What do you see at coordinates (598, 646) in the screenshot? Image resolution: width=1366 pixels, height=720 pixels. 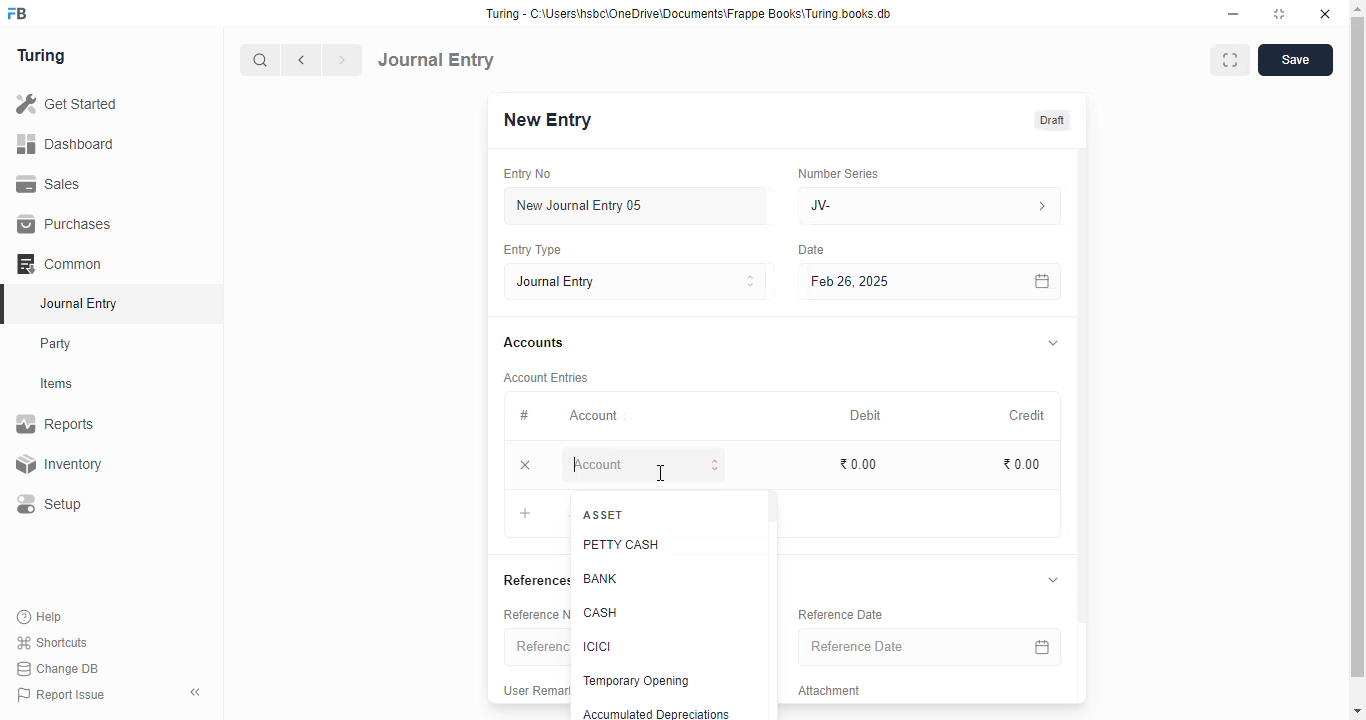 I see `ICICI` at bounding box center [598, 646].